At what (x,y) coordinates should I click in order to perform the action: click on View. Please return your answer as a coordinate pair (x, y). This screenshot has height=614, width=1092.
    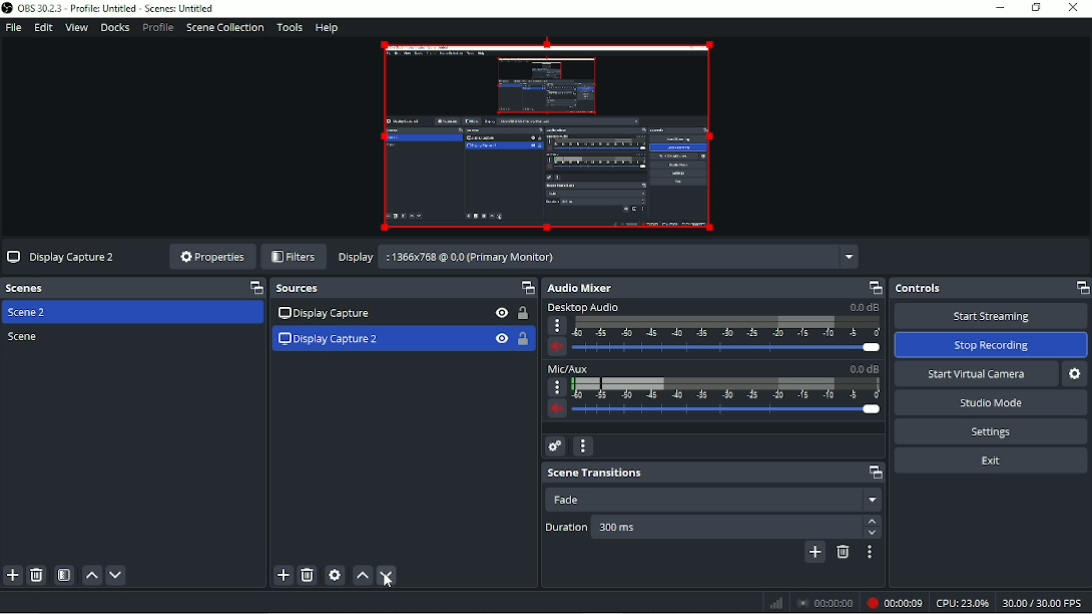
    Looking at the image, I should click on (77, 29).